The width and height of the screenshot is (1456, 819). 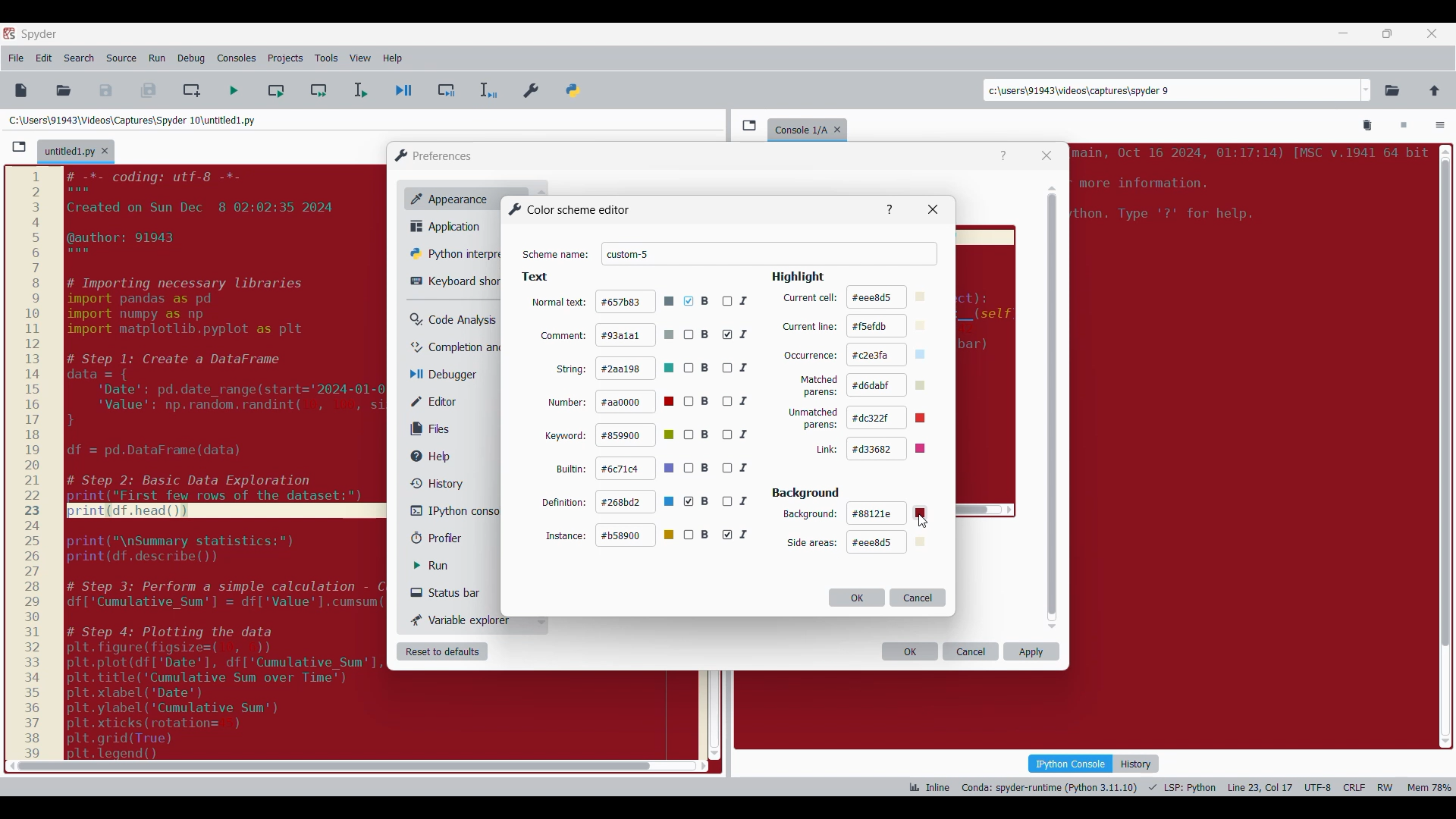 What do you see at coordinates (971, 651) in the screenshot?
I see `Cancel` at bounding box center [971, 651].